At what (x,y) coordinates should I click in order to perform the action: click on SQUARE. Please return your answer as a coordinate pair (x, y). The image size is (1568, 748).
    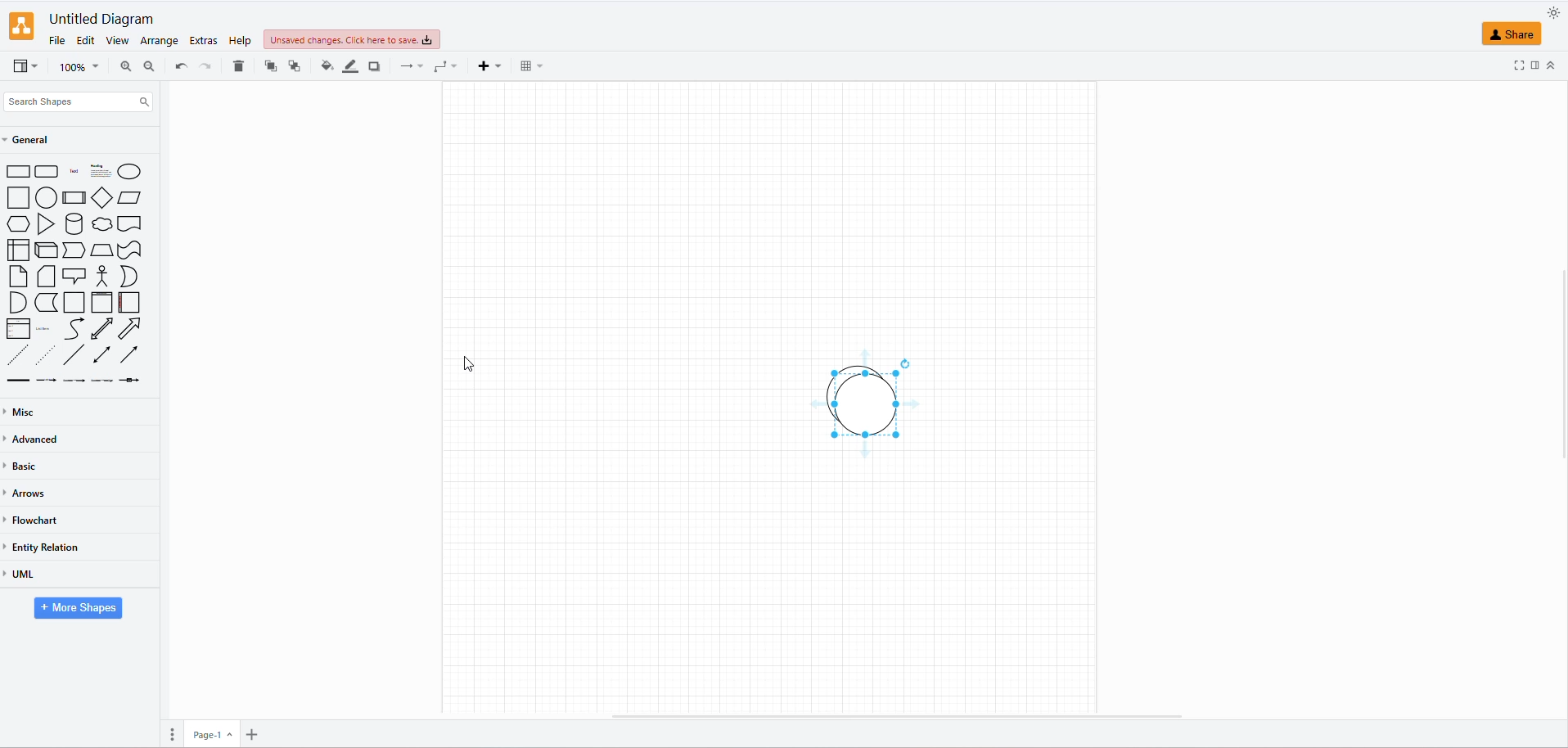
    Looking at the image, I should click on (15, 197).